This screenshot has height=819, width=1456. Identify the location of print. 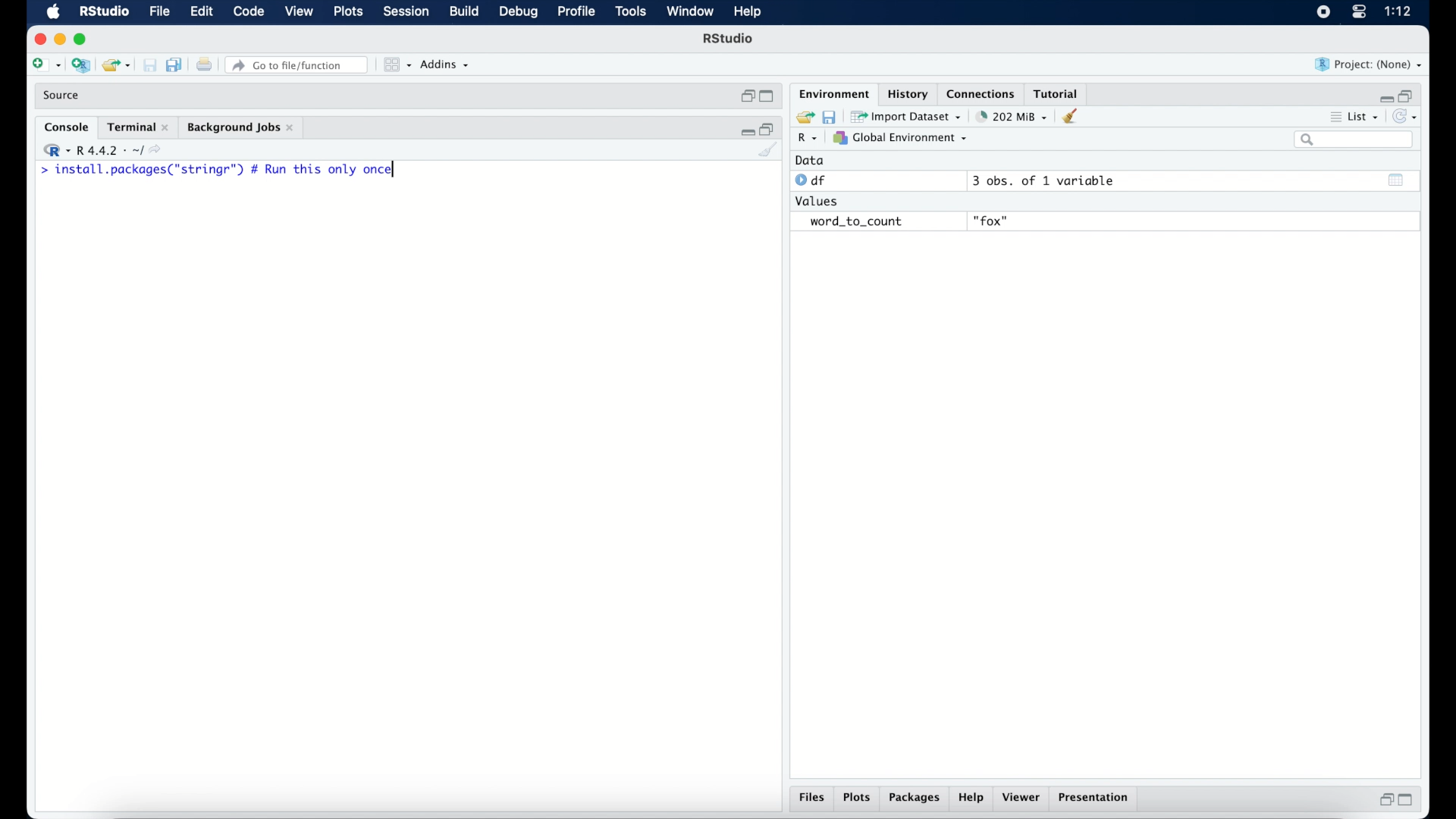
(204, 66).